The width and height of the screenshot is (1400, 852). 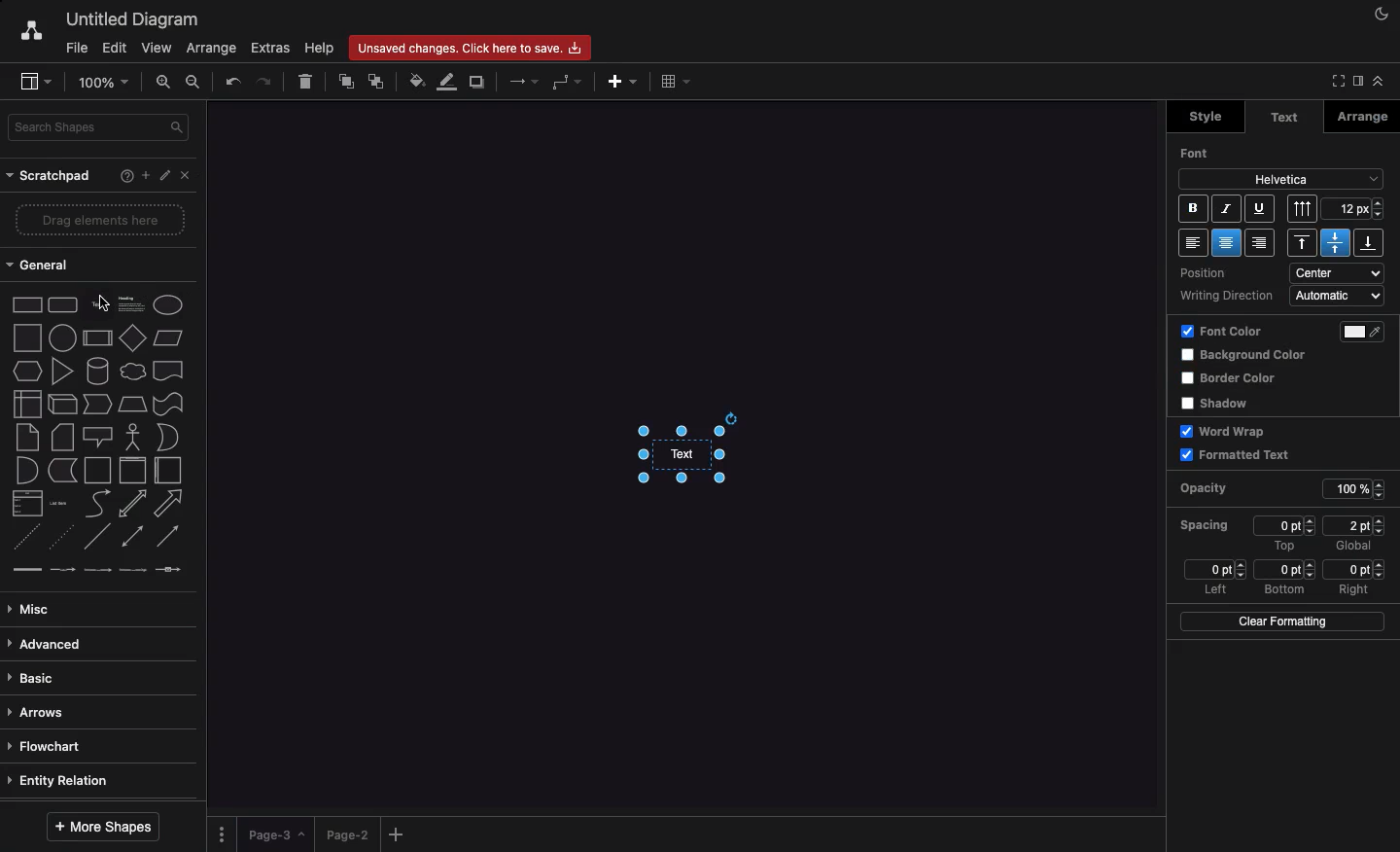 What do you see at coordinates (233, 82) in the screenshot?
I see `Undo` at bounding box center [233, 82].